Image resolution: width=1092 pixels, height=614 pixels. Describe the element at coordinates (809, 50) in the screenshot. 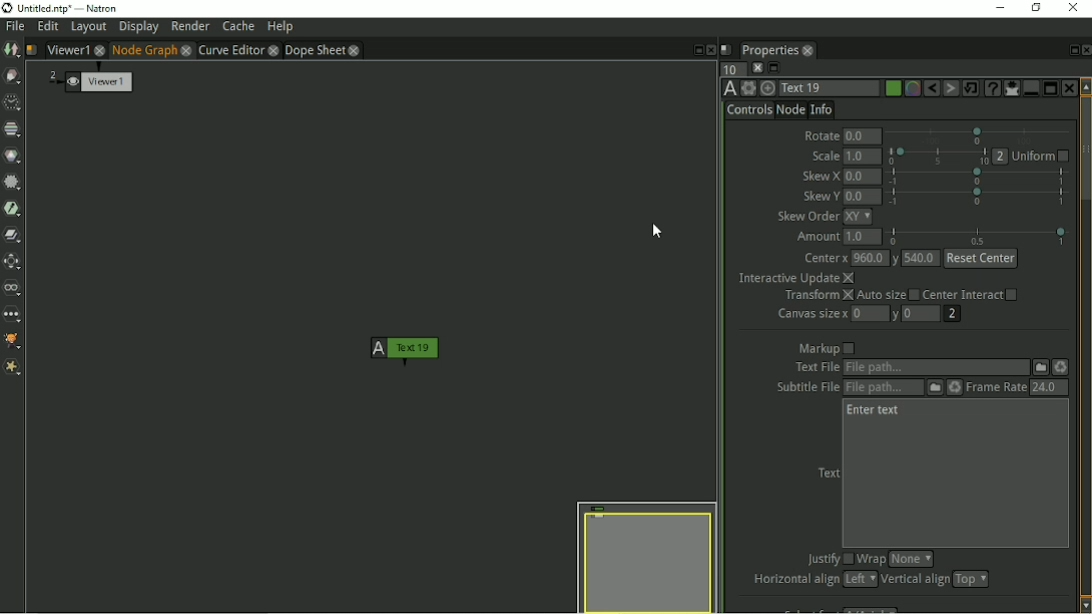

I see `close` at that location.